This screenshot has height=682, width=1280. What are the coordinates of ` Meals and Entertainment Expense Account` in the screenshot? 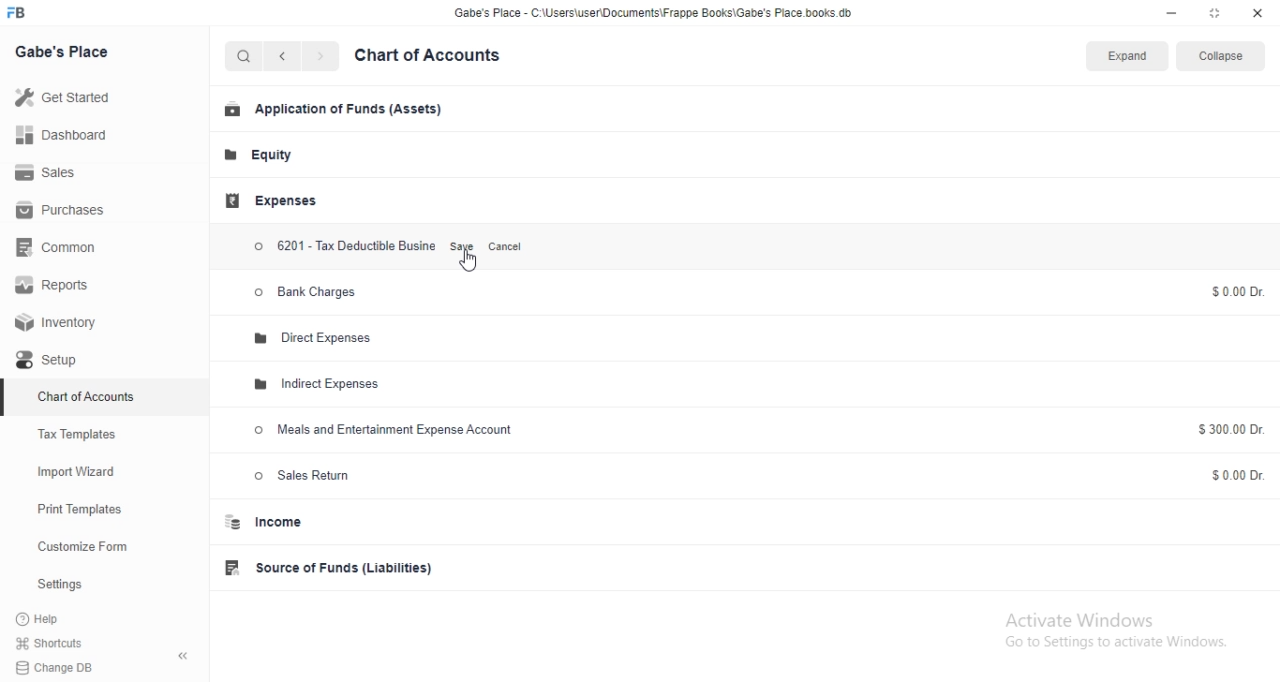 It's located at (390, 431).